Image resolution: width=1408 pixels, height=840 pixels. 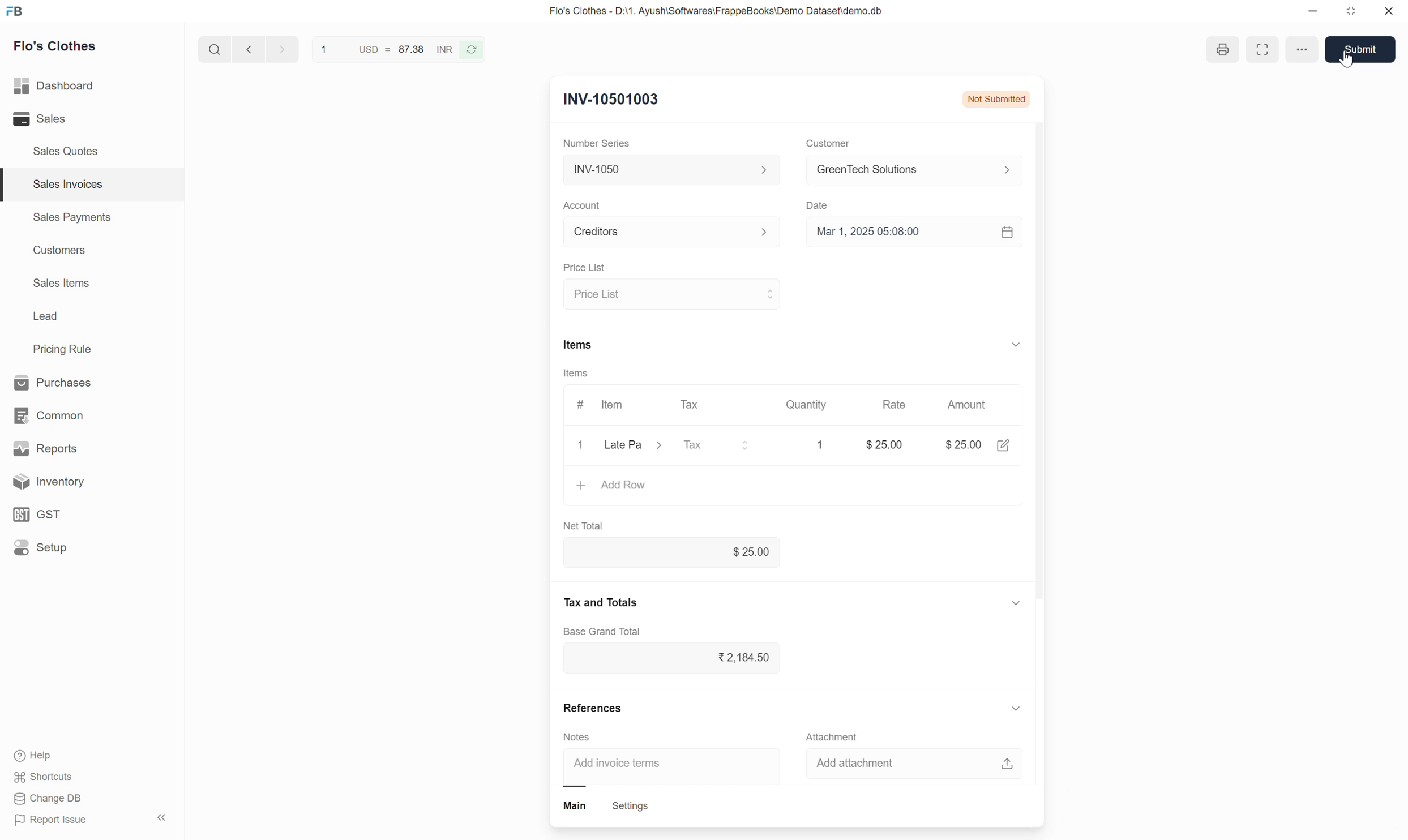 I want to click on Flo's Clothes - D:\1. Ayush\Softwares\FrappeBooks\Demo Dataset\demo.db, so click(x=726, y=12).